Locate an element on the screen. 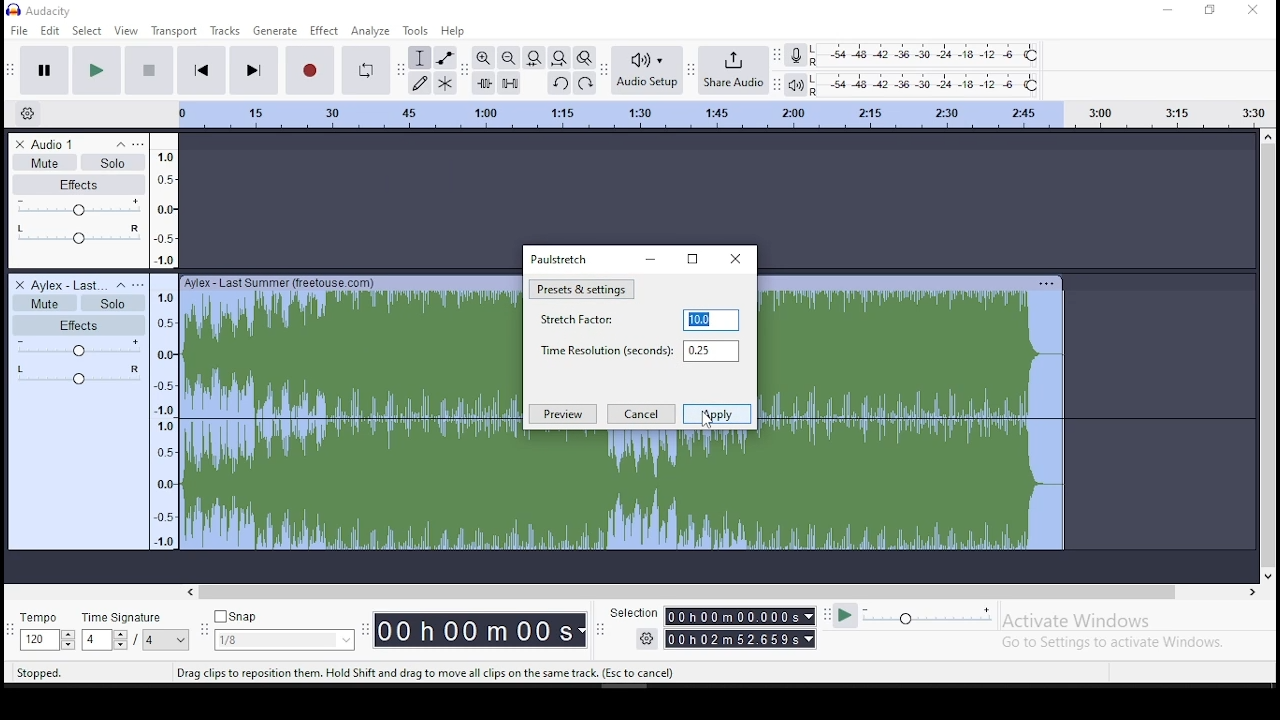 The height and width of the screenshot is (720, 1280). playback meter is located at coordinates (794, 84).